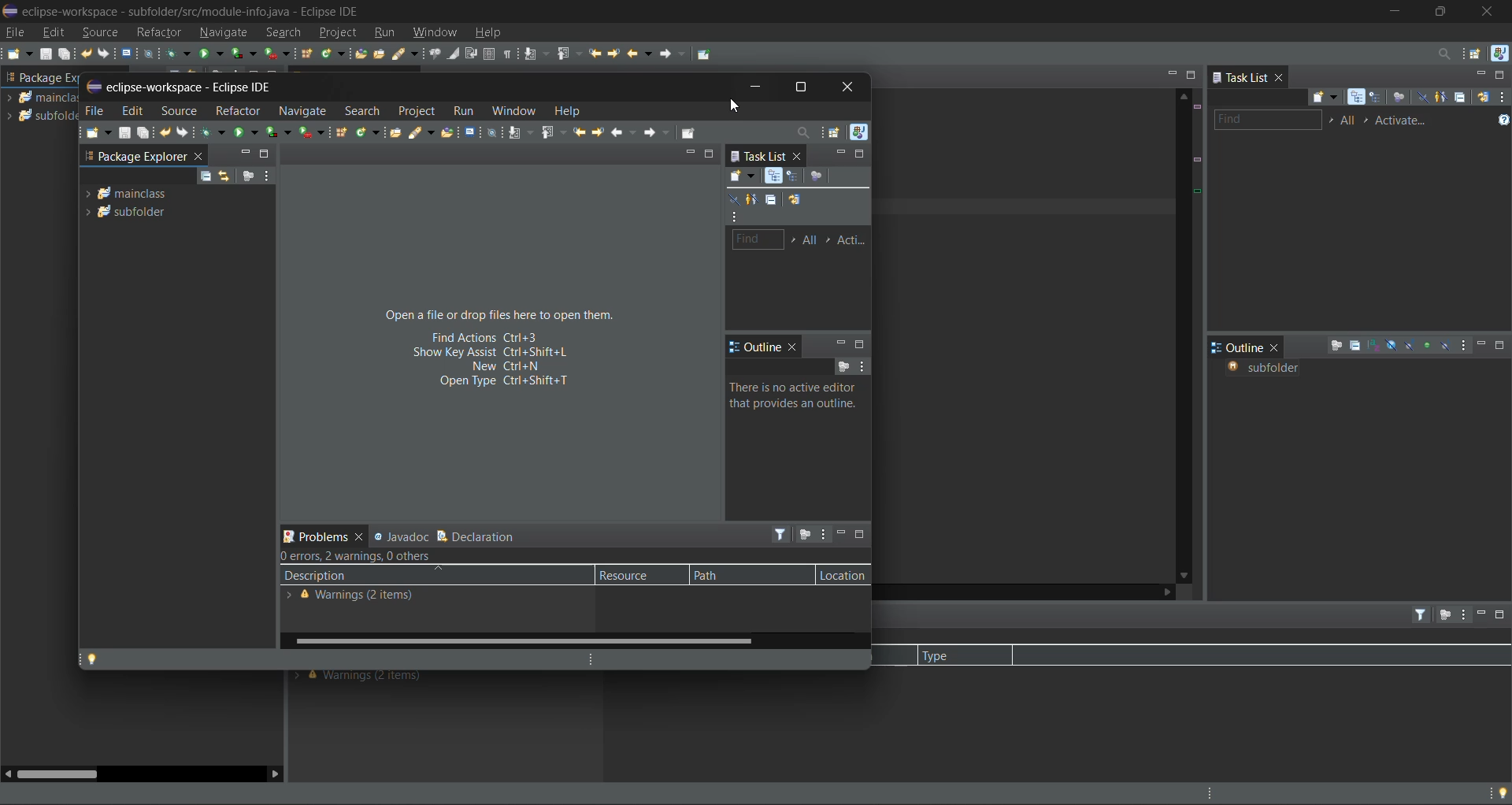 The width and height of the screenshot is (1512, 805). What do you see at coordinates (278, 54) in the screenshot?
I see `run last tool` at bounding box center [278, 54].